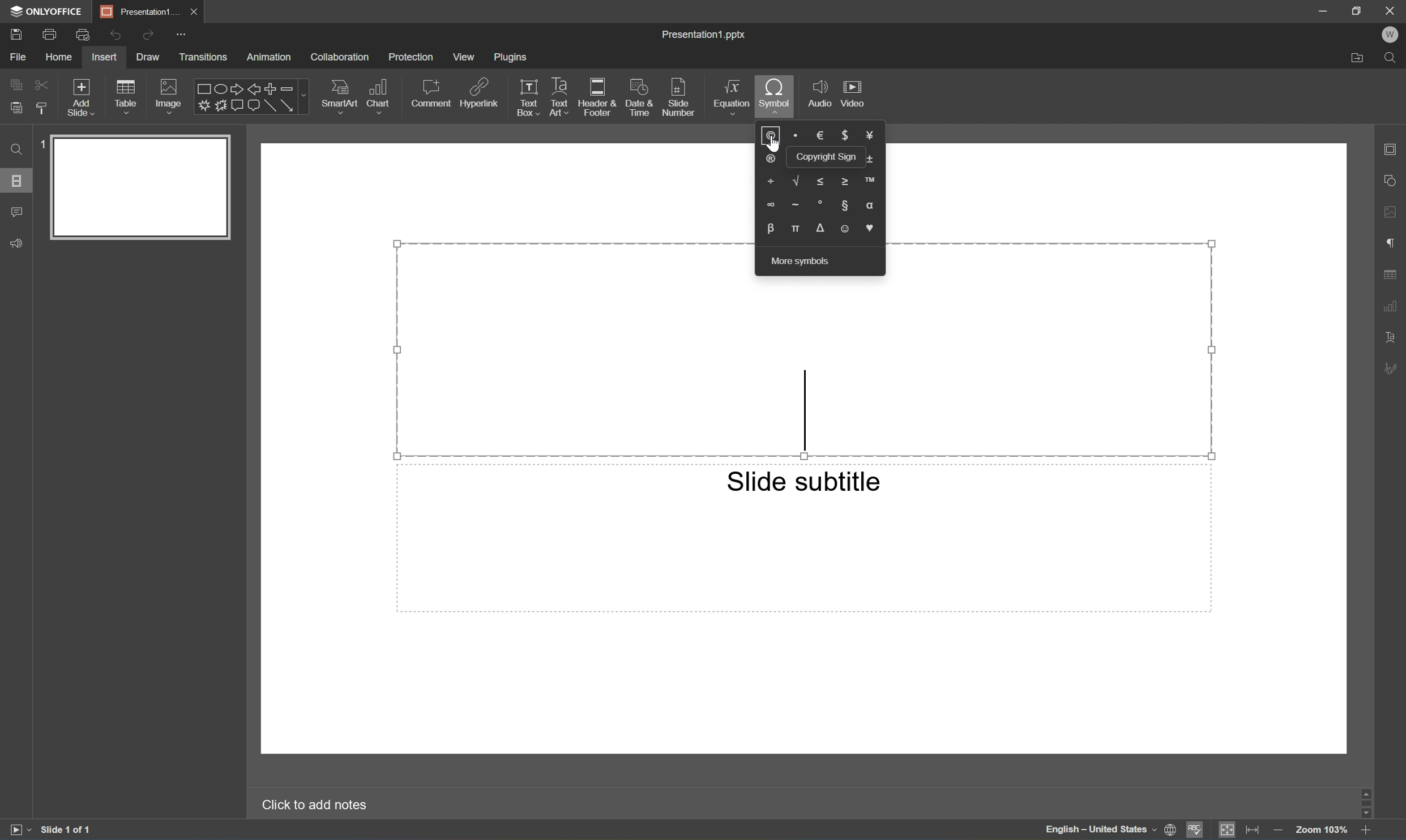  What do you see at coordinates (802, 262) in the screenshot?
I see `More Symbols` at bounding box center [802, 262].